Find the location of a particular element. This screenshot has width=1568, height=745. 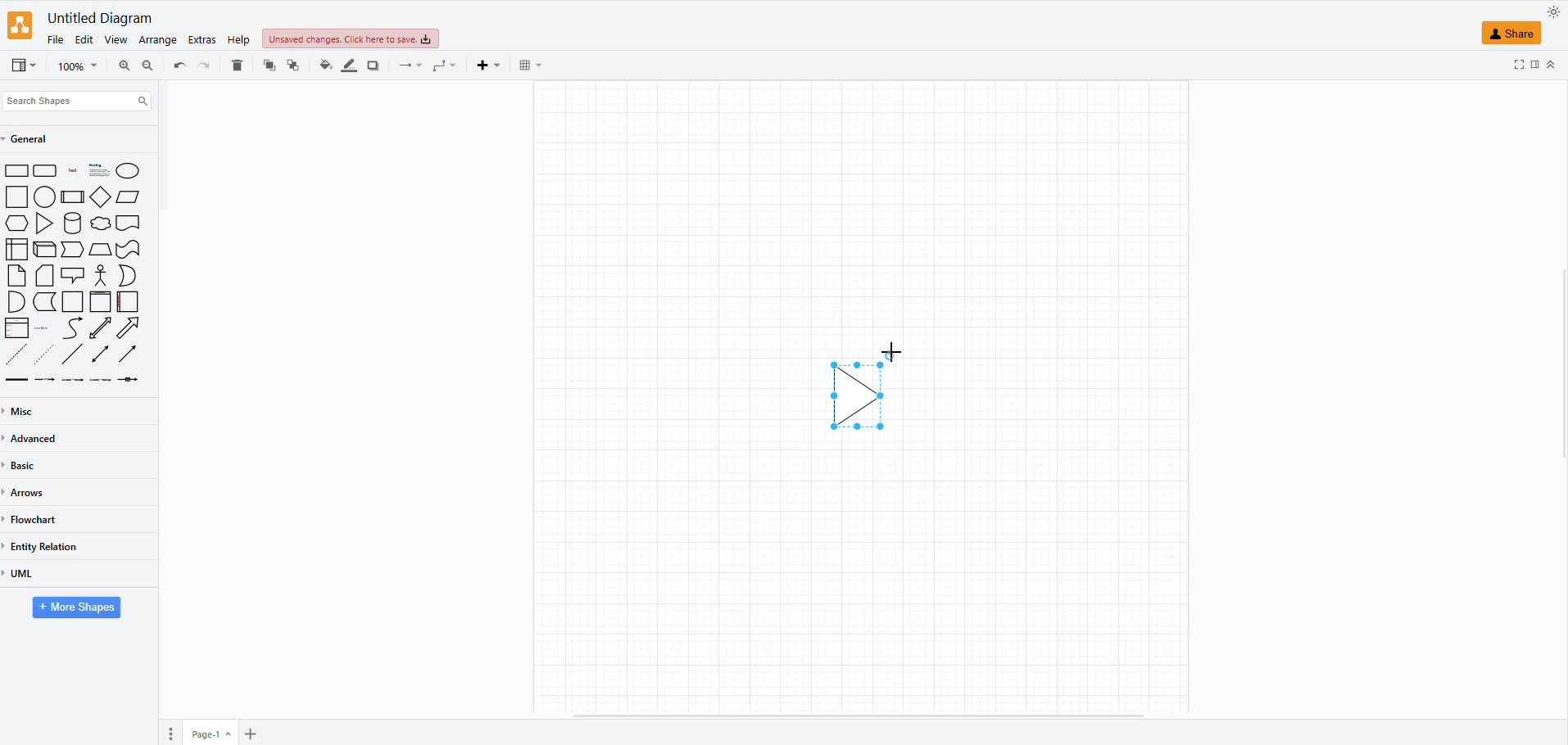

Polygon is located at coordinates (100, 250).